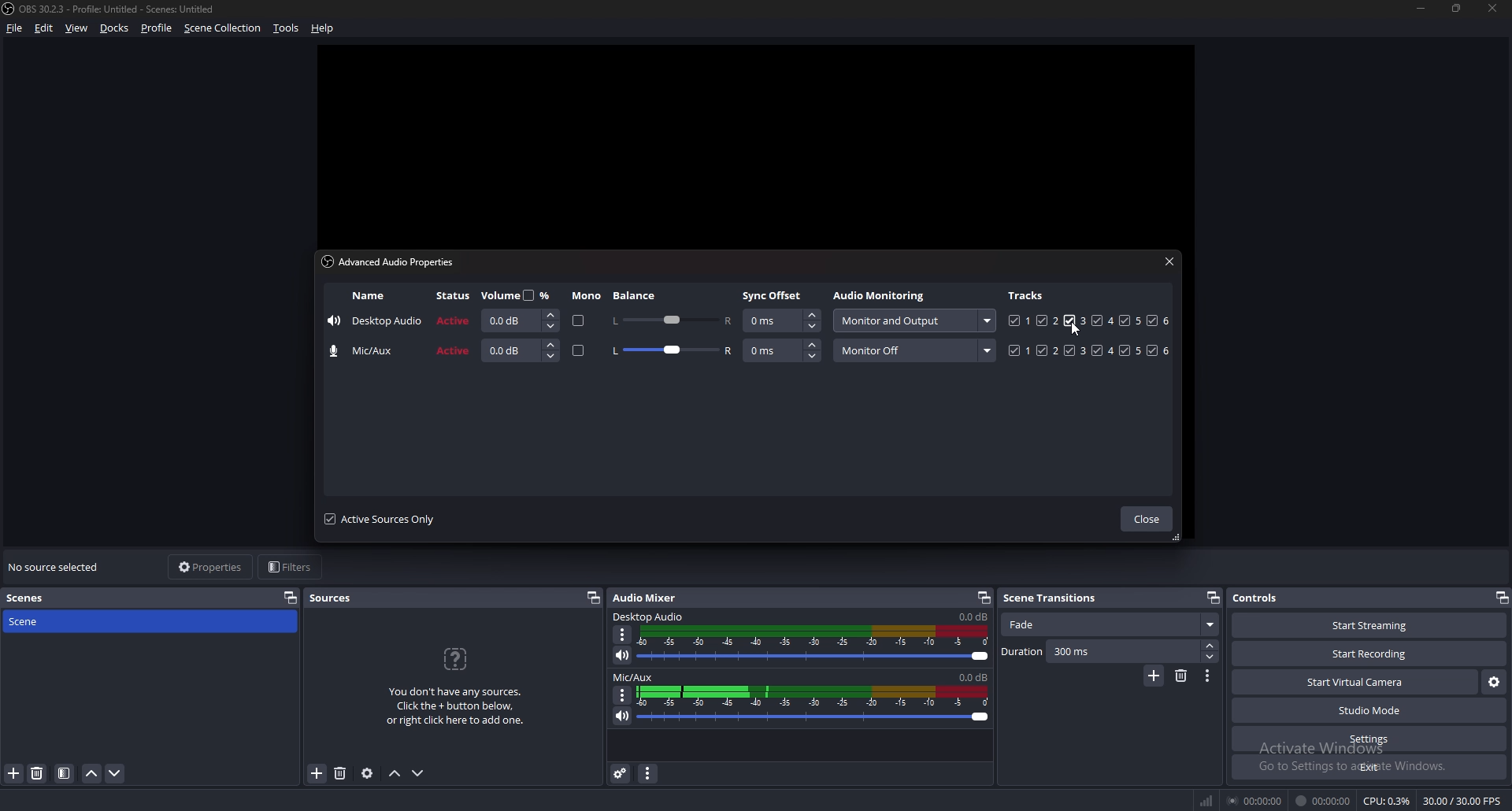  What do you see at coordinates (783, 350) in the screenshot?
I see `syns offset input` at bounding box center [783, 350].